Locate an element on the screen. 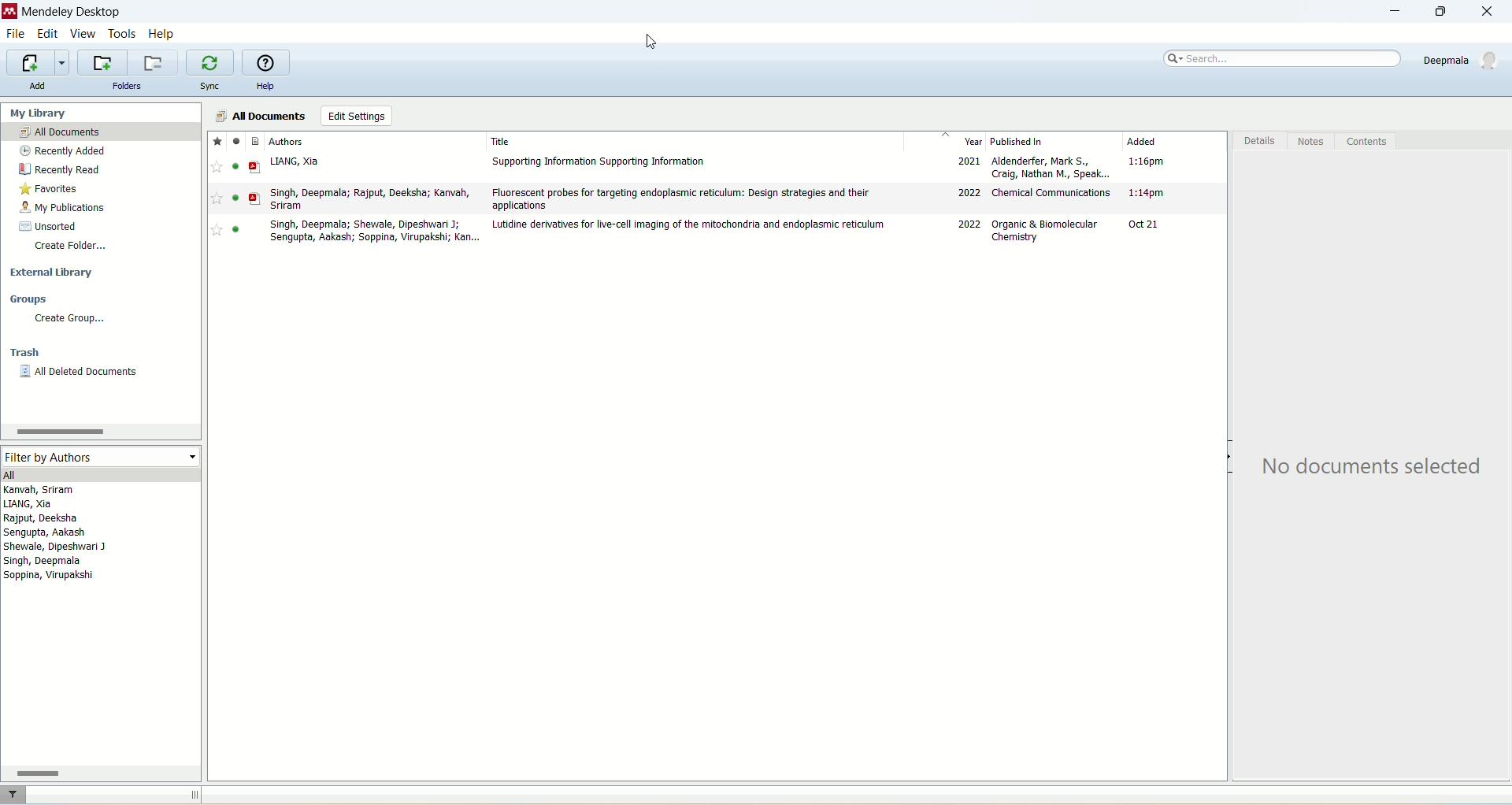  Singh, Deepmala is located at coordinates (46, 559).